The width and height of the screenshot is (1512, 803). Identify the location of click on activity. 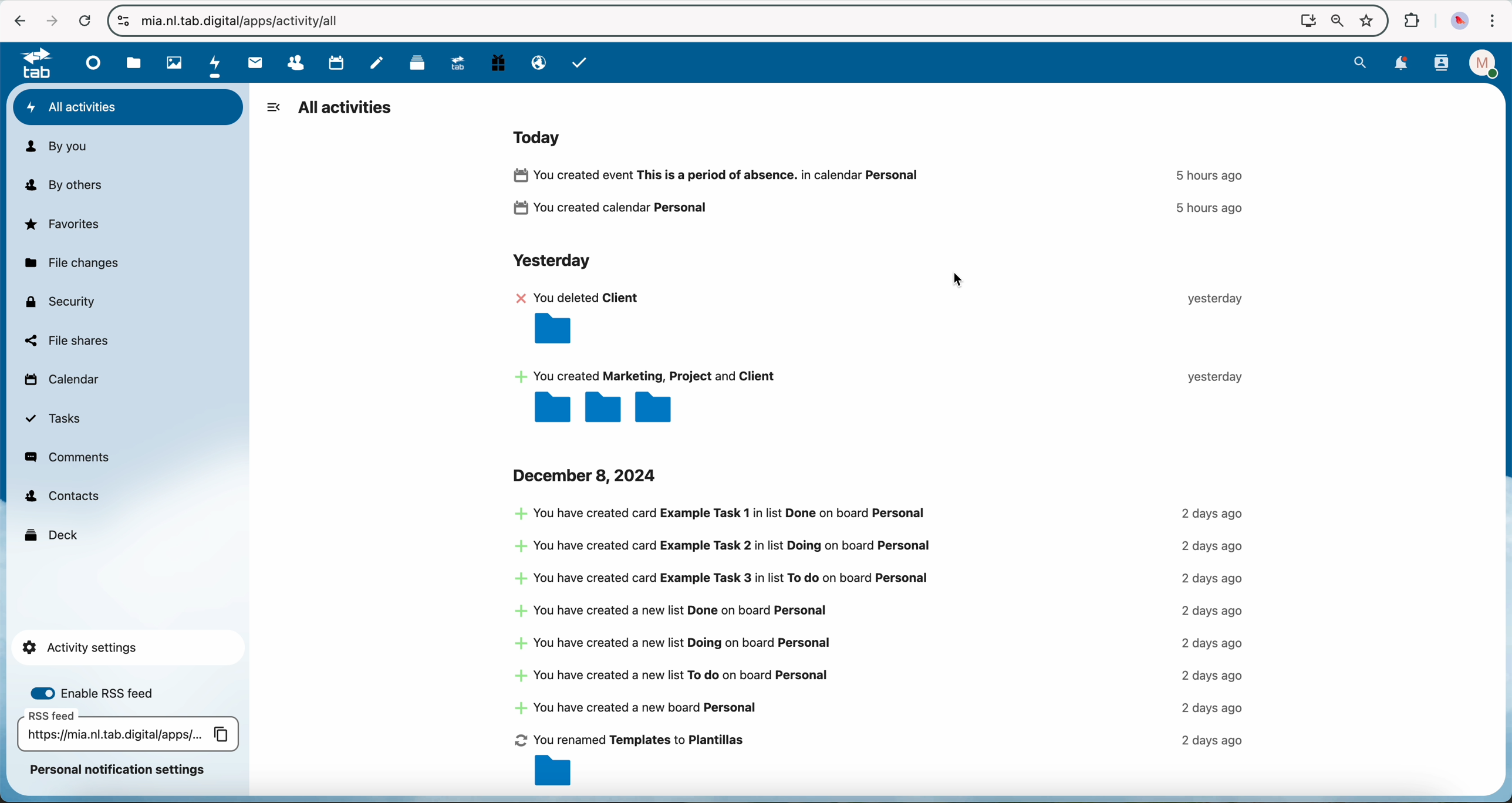
(216, 63).